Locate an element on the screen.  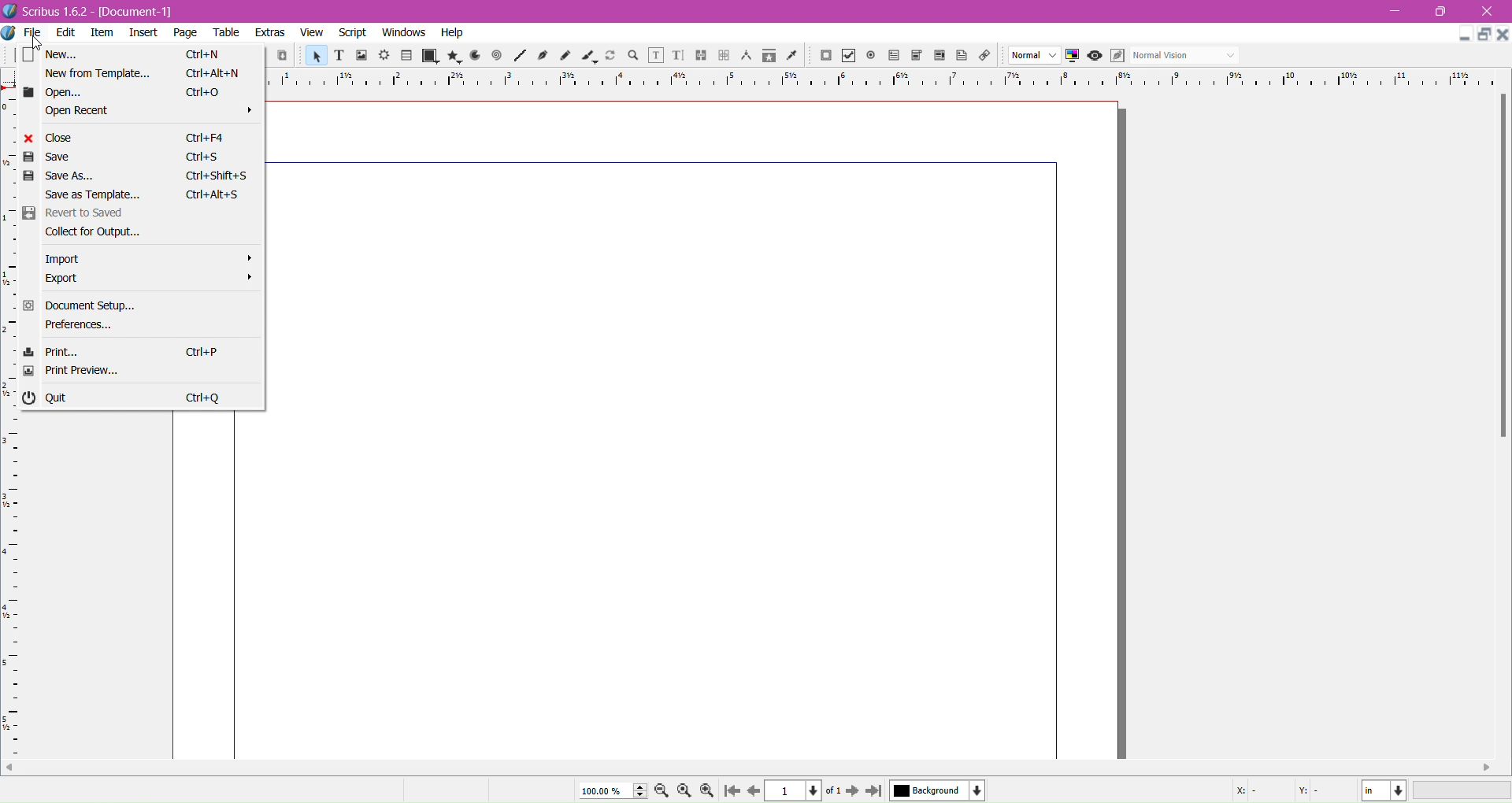
Text Frame is located at coordinates (340, 56).